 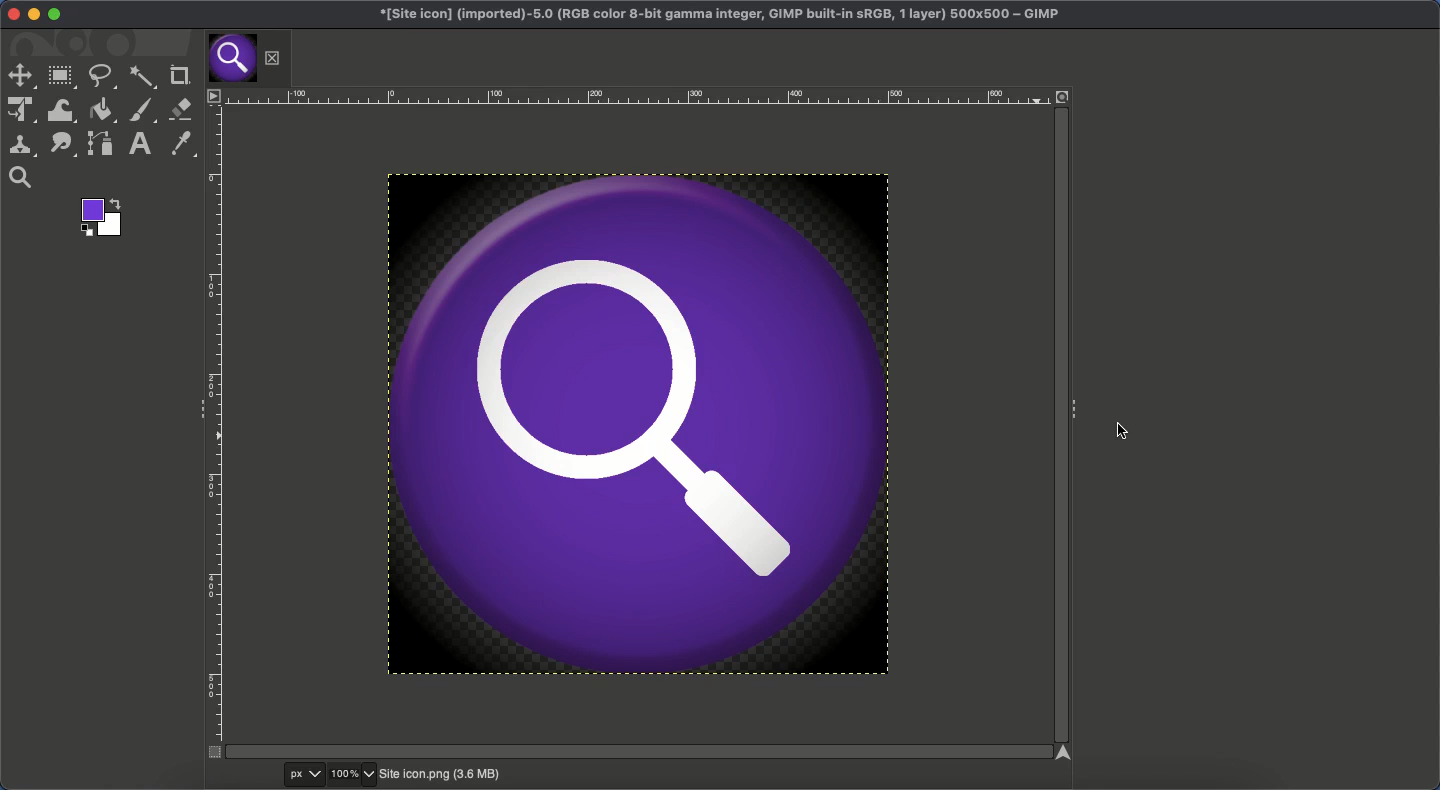 What do you see at coordinates (137, 144) in the screenshot?
I see `Text` at bounding box center [137, 144].